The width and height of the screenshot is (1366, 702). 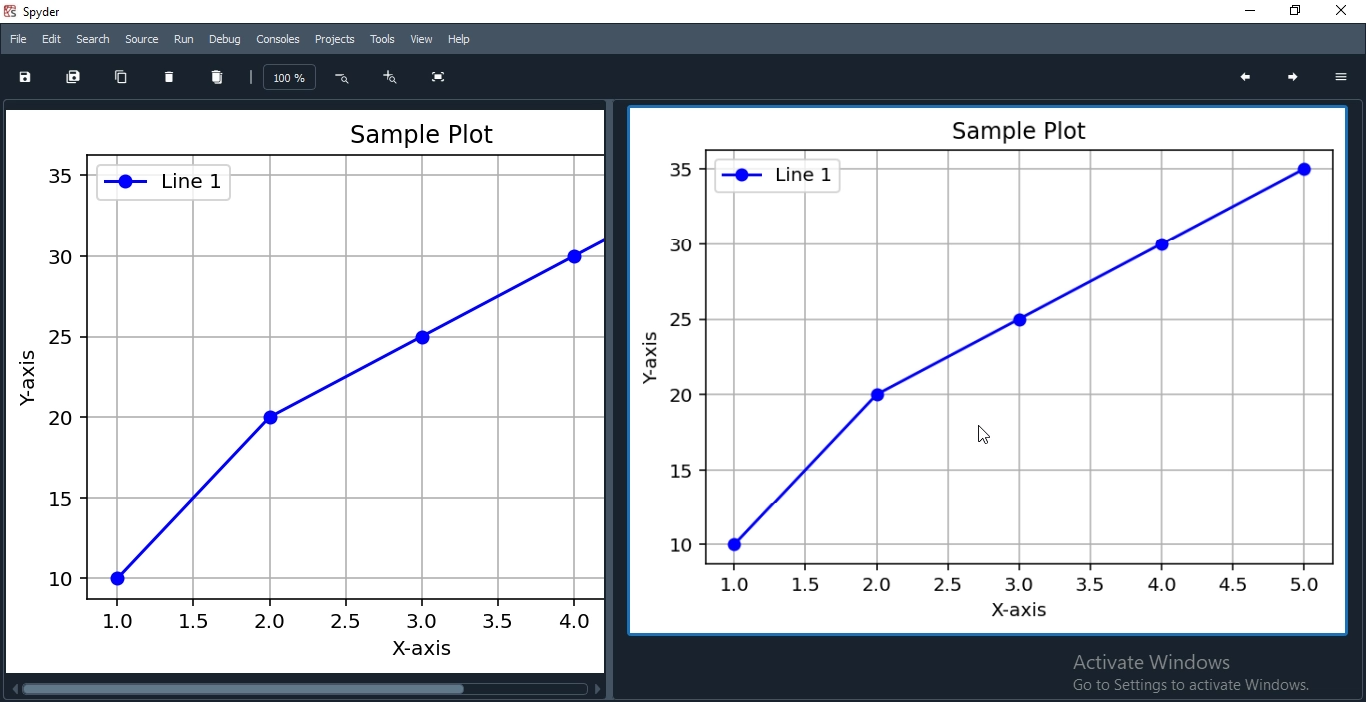 I want to click on save, so click(x=28, y=77).